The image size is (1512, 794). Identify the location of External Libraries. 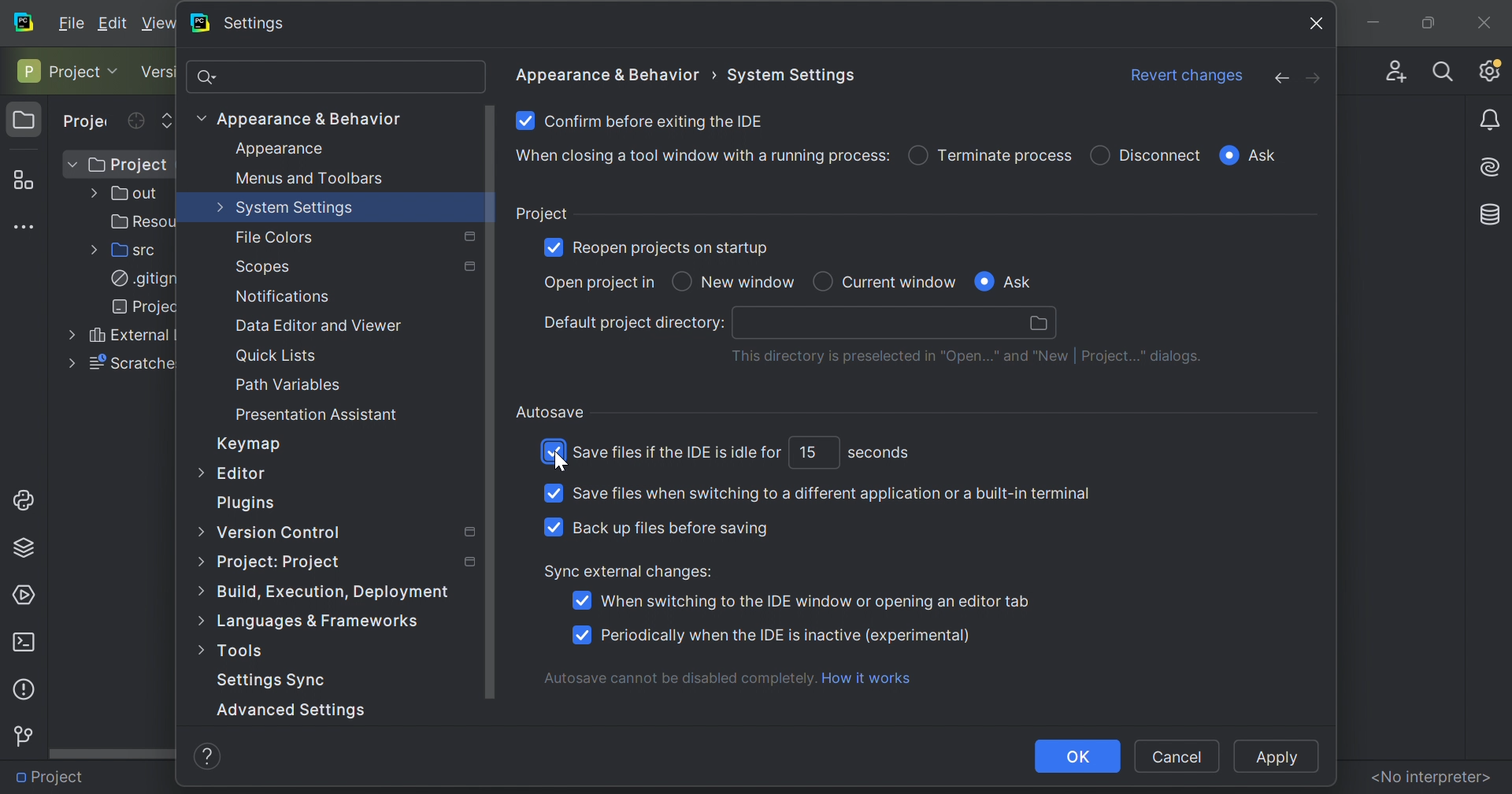
(128, 336).